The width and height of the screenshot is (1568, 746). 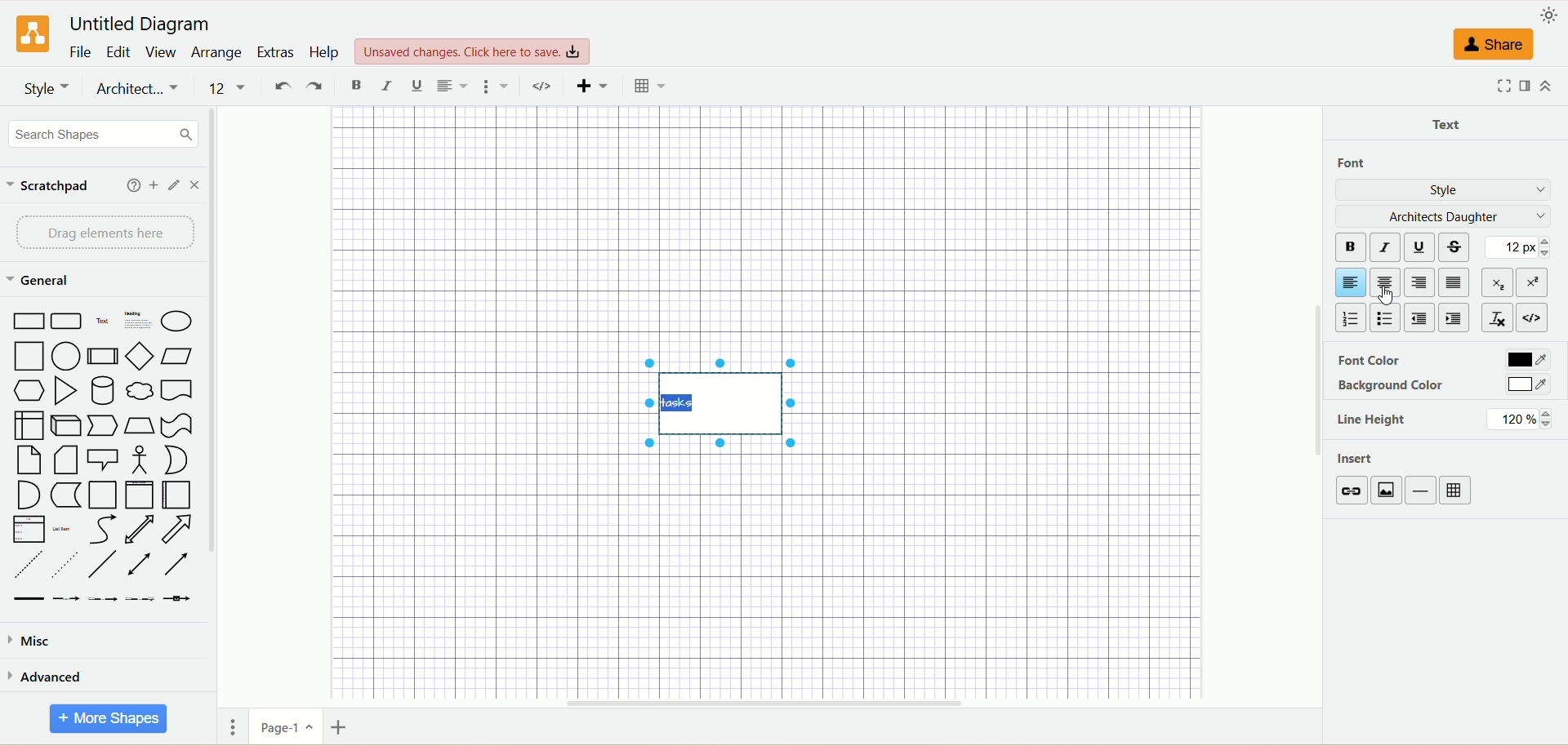 I want to click on Arrow with Break, so click(x=67, y=599).